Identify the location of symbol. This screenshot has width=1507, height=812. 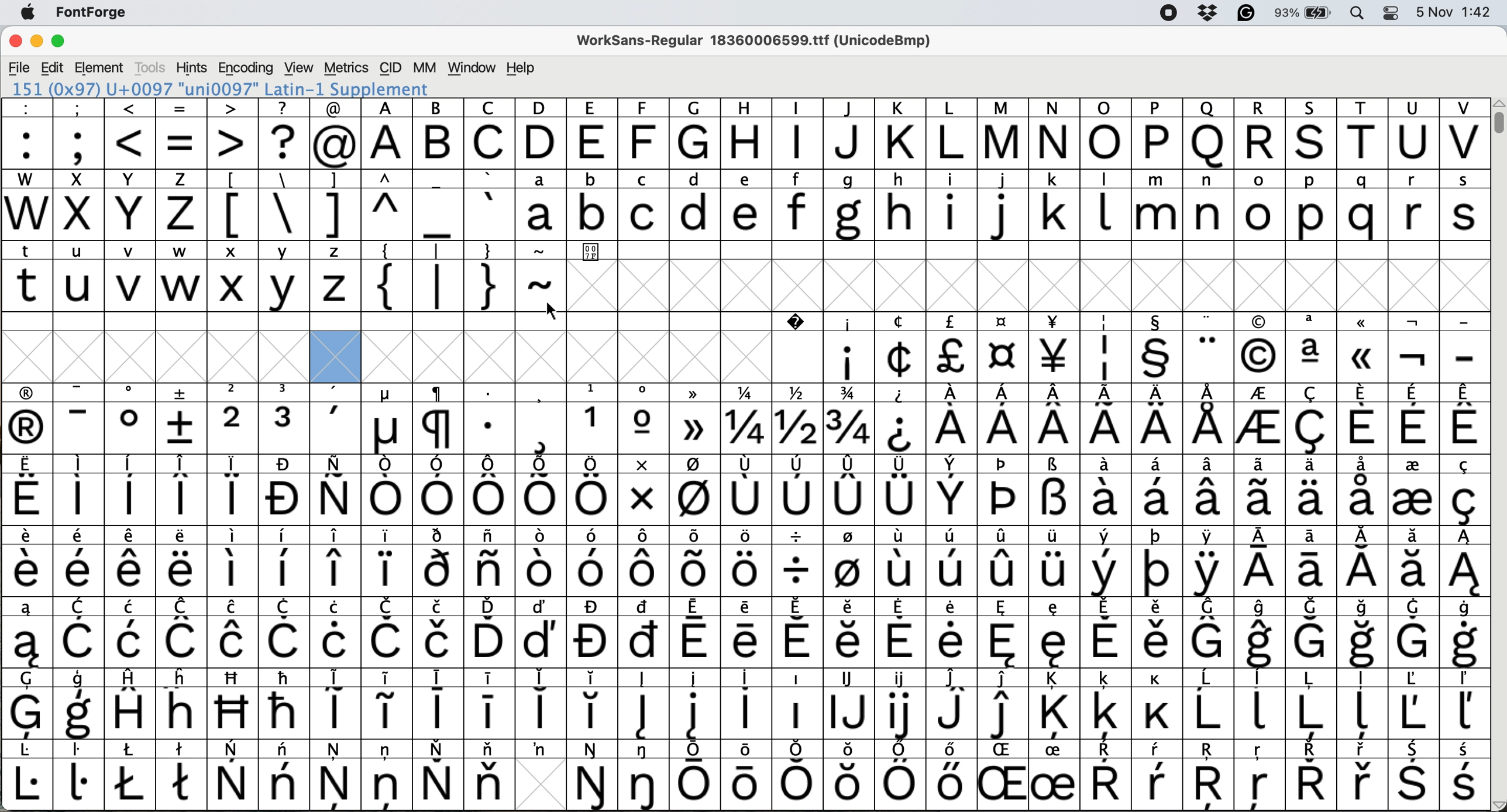
(336, 774).